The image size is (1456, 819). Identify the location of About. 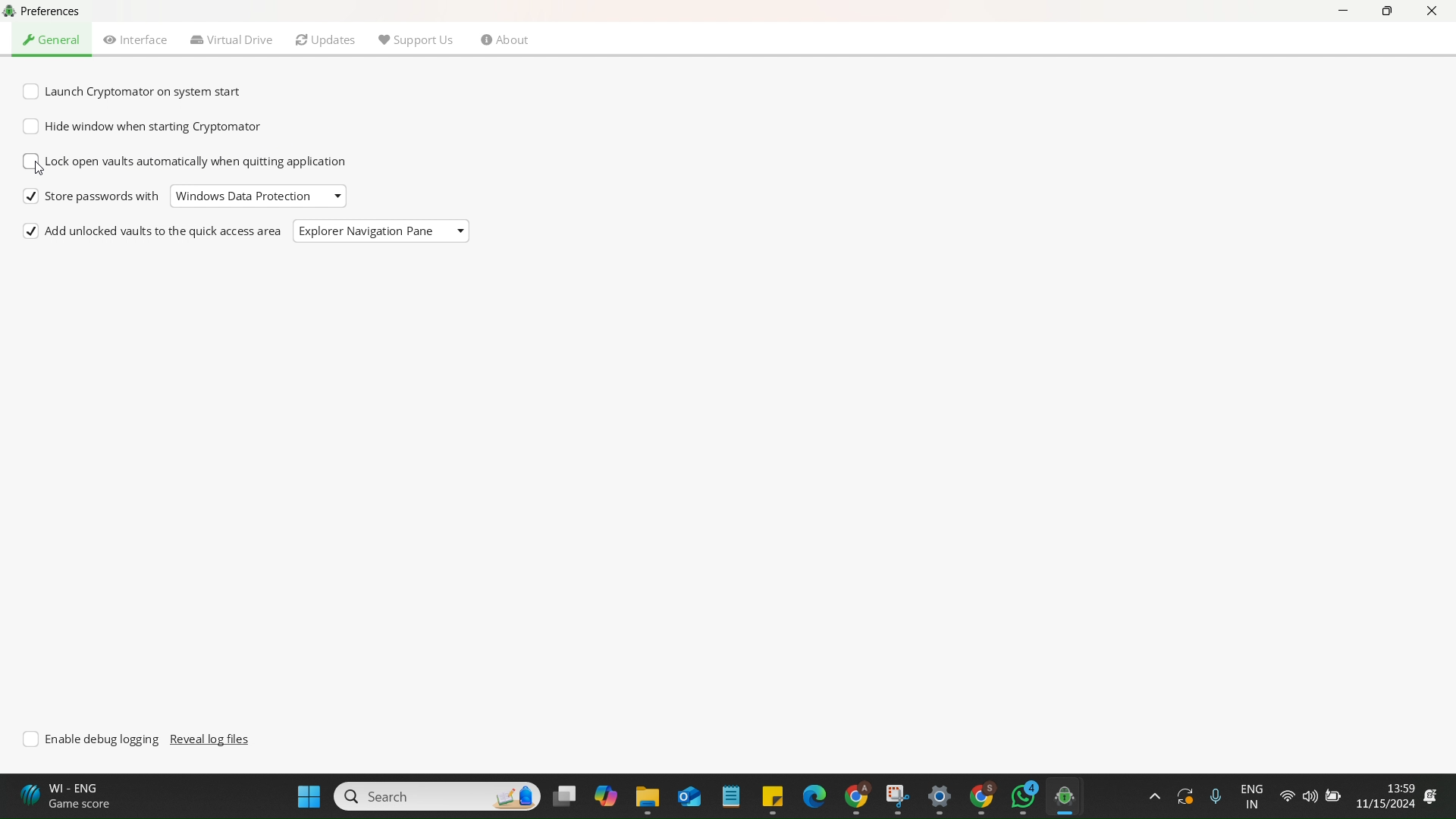
(505, 42).